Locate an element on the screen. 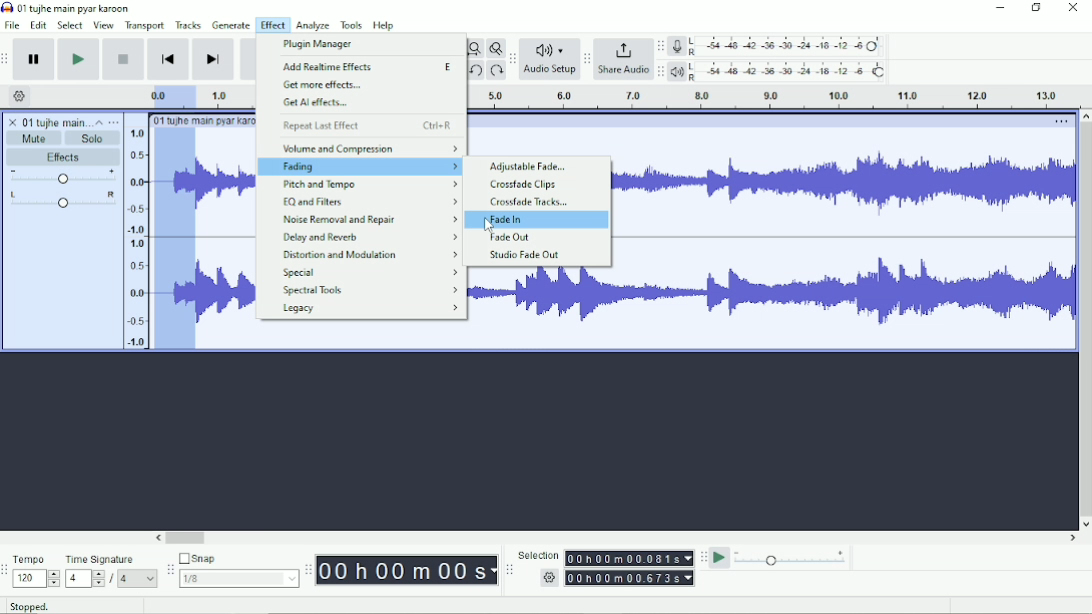 The width and height of the screenshot is (1092, 614). Tracks is located at coordinates (189, 24).